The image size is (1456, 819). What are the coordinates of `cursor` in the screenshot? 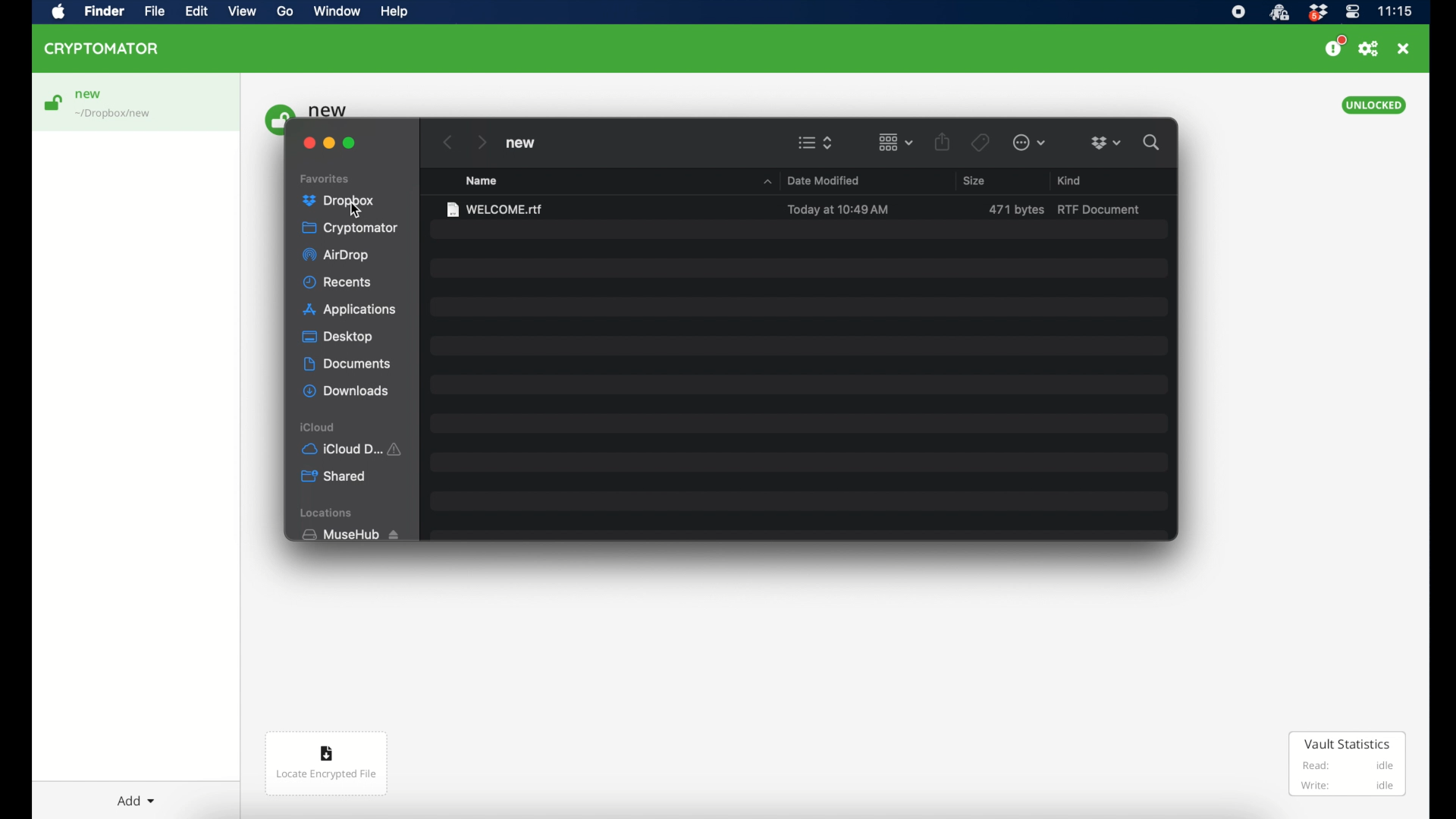 It's located at (355, 210).